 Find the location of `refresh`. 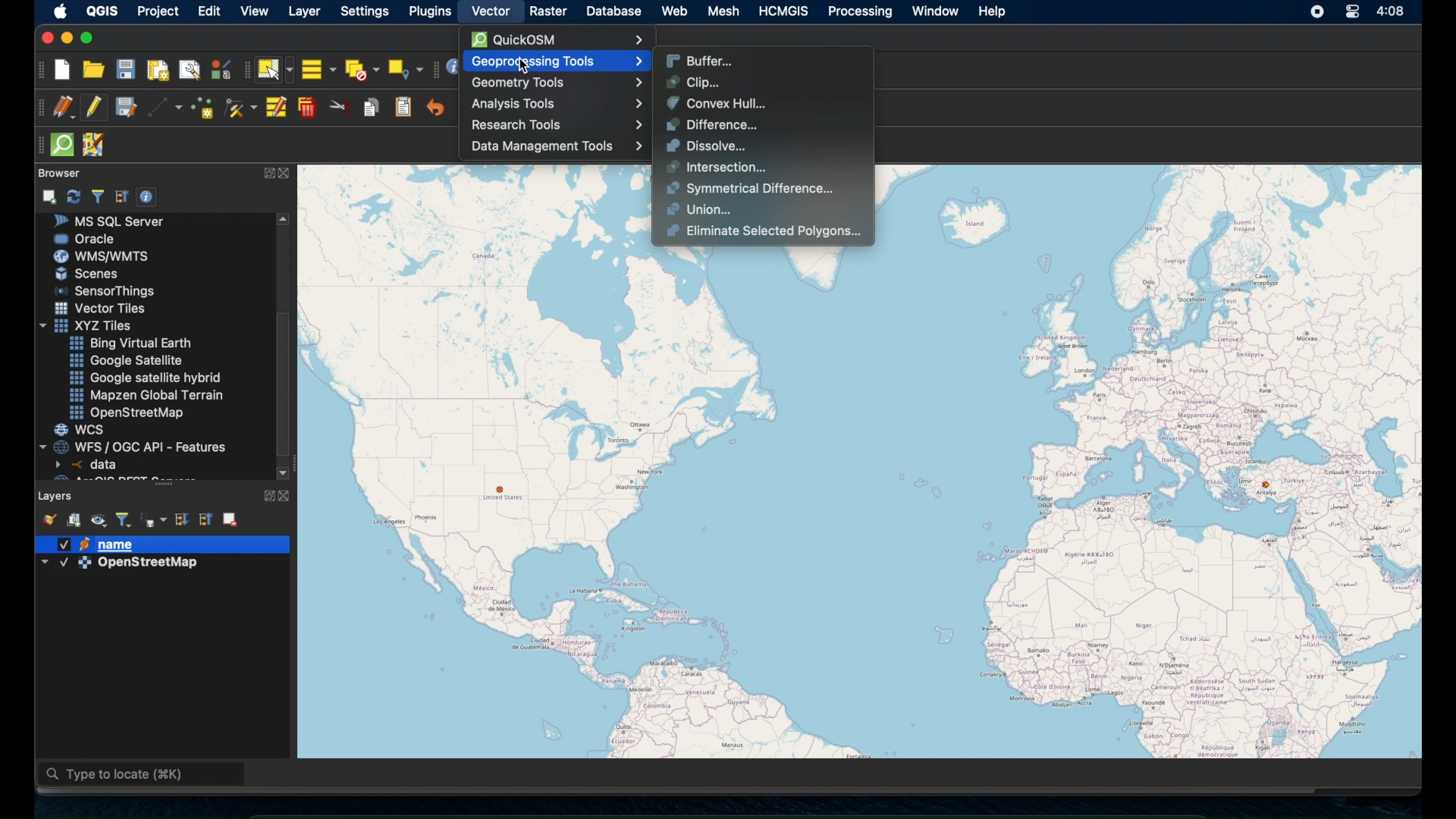

refresh is located at coordinates (74, 195).